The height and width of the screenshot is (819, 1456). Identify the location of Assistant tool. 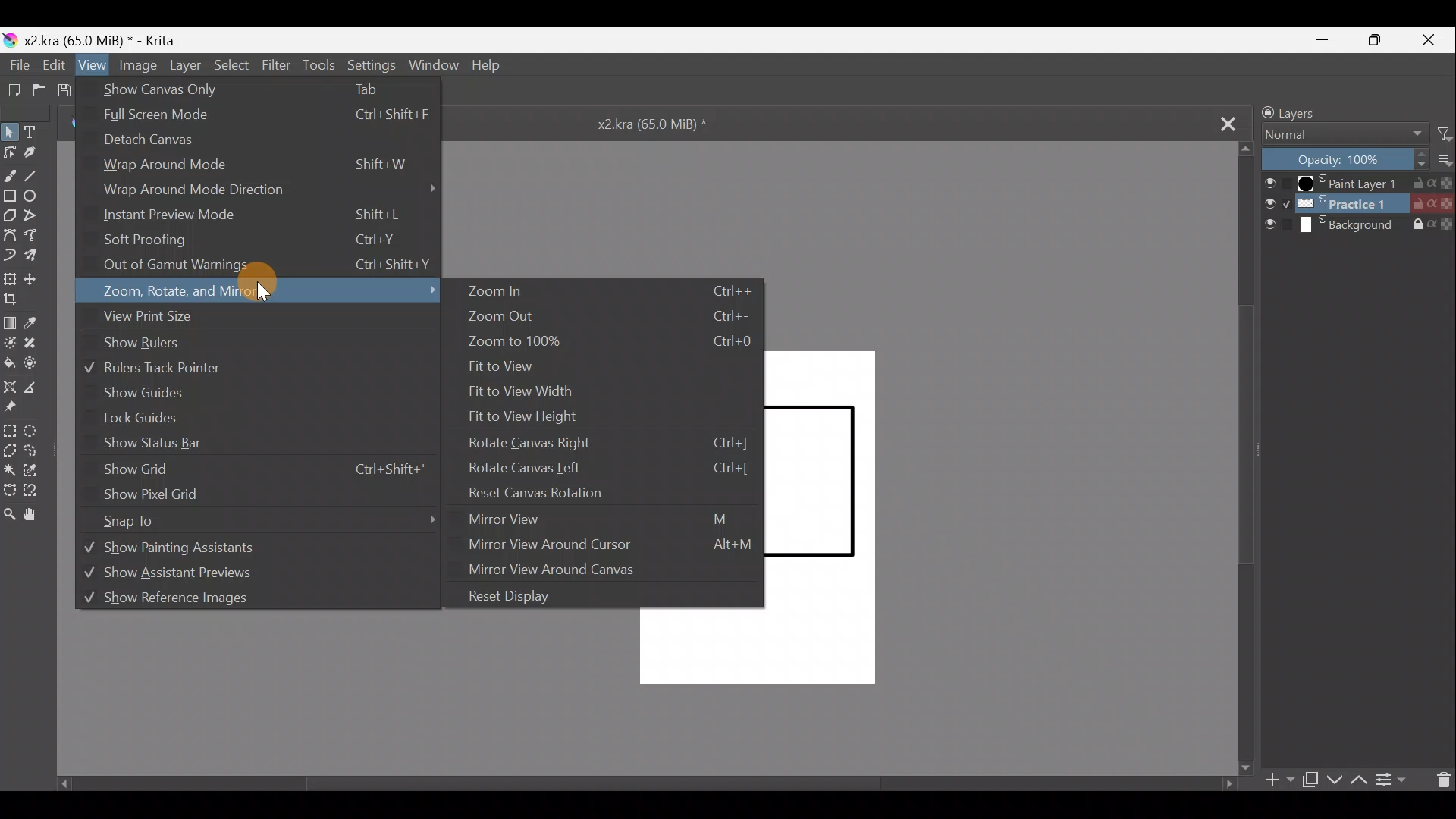
(10, 387).